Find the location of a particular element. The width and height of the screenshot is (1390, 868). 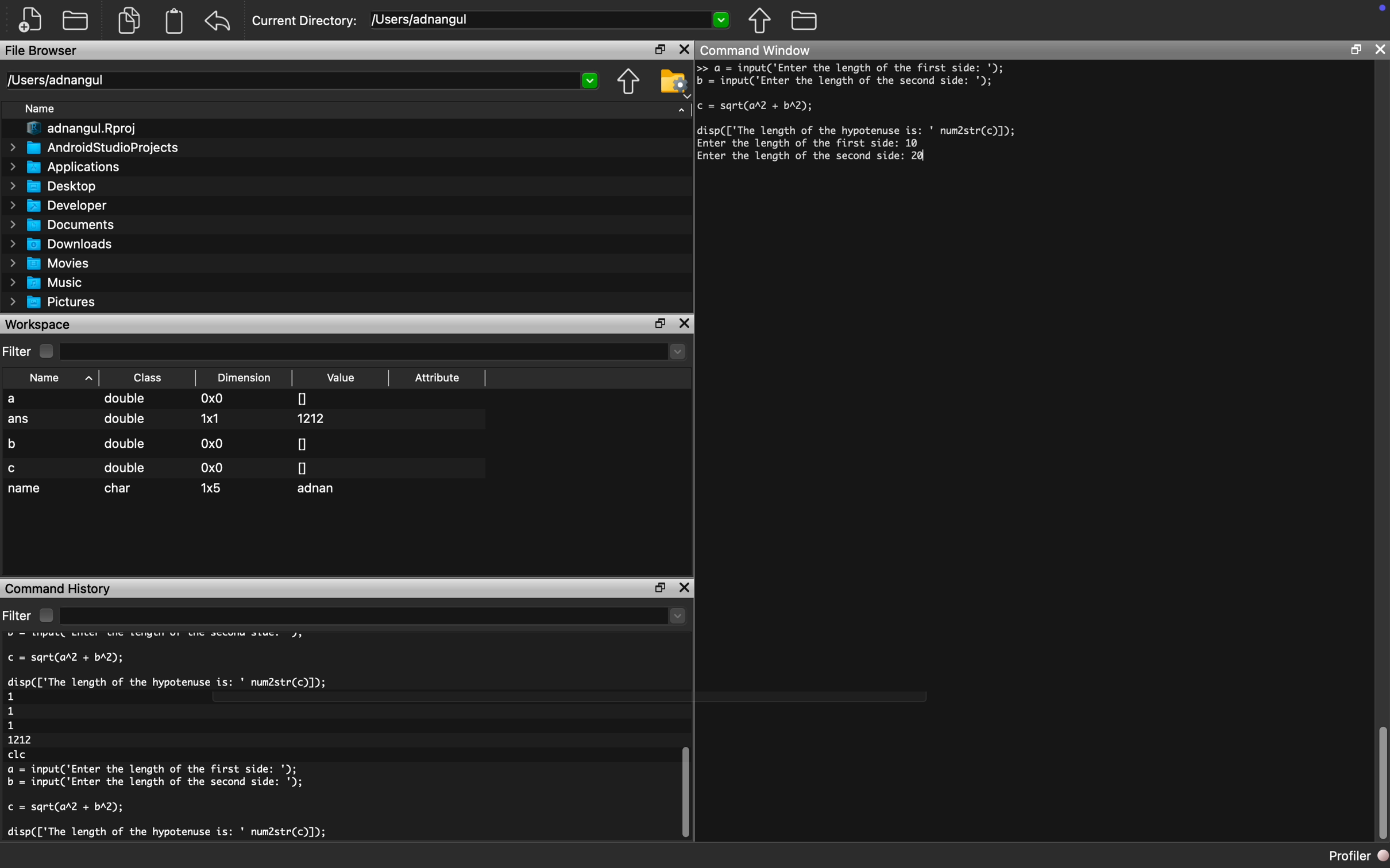

documents is located at coordinates (128, 19).